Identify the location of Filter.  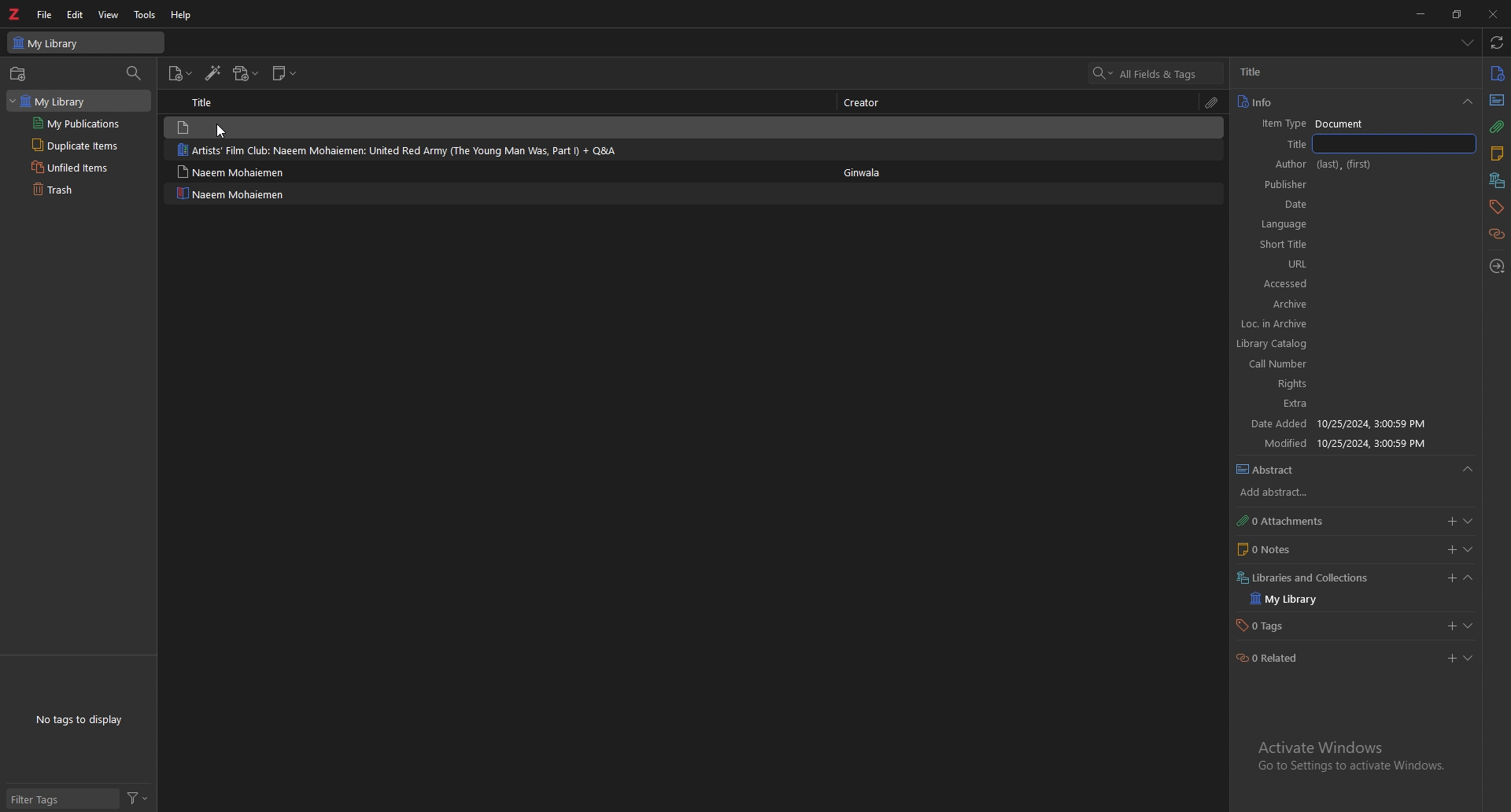
(142, 798).